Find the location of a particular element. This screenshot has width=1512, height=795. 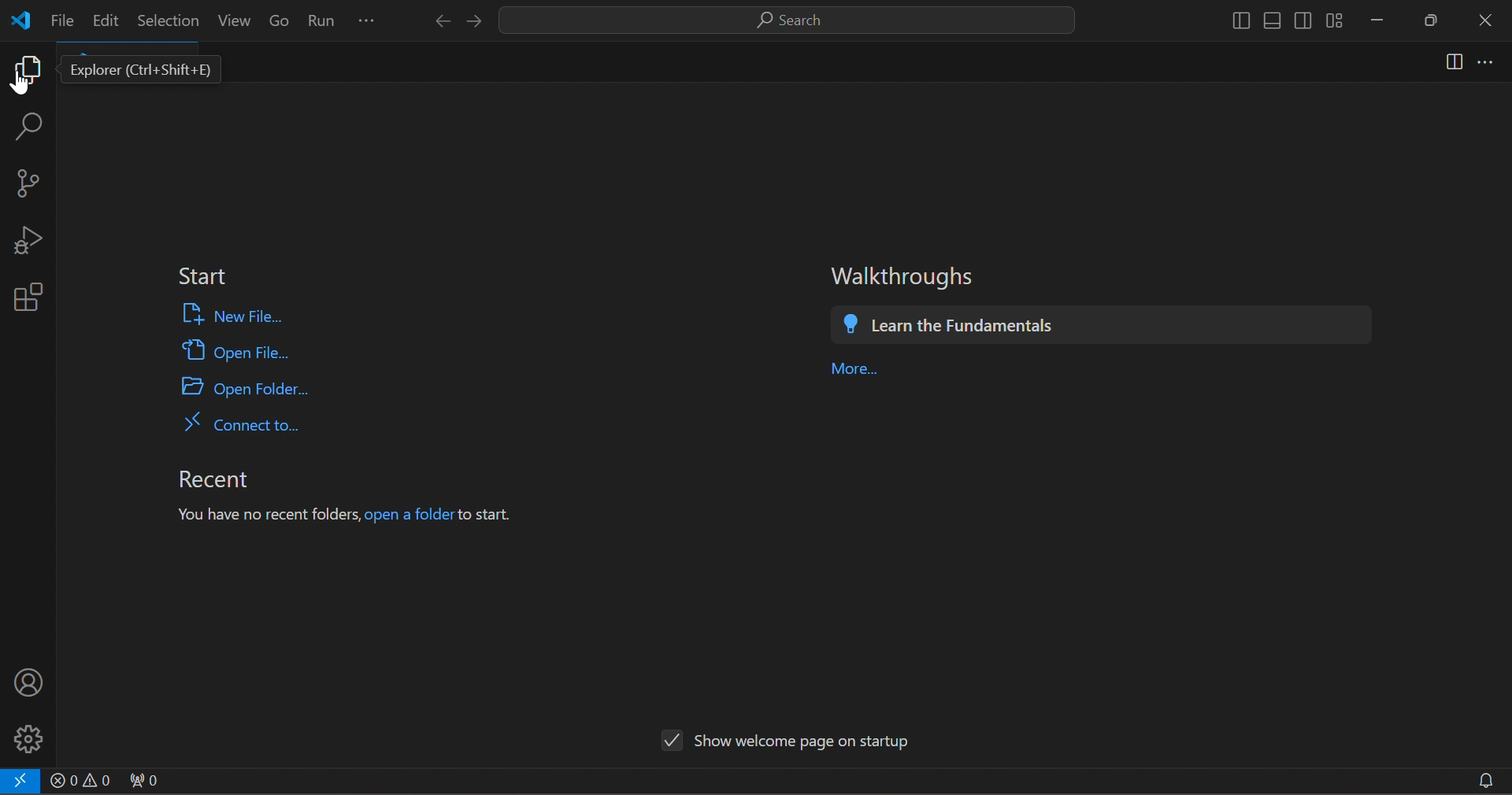

more is located at coordinates (372, 18).